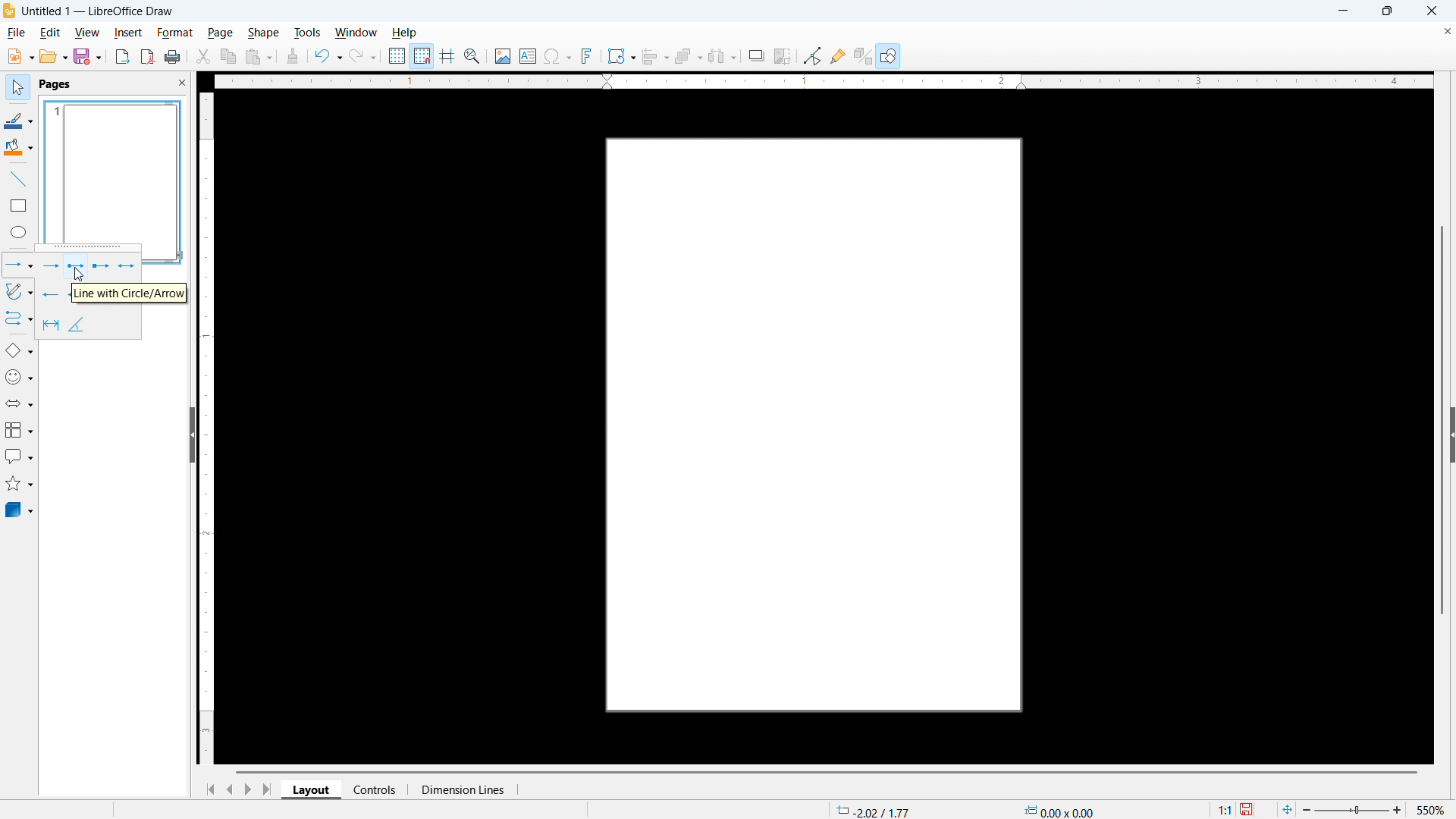  Describe the element at coordinates (53, 56) in the screenshot. I see `open ` at that location.